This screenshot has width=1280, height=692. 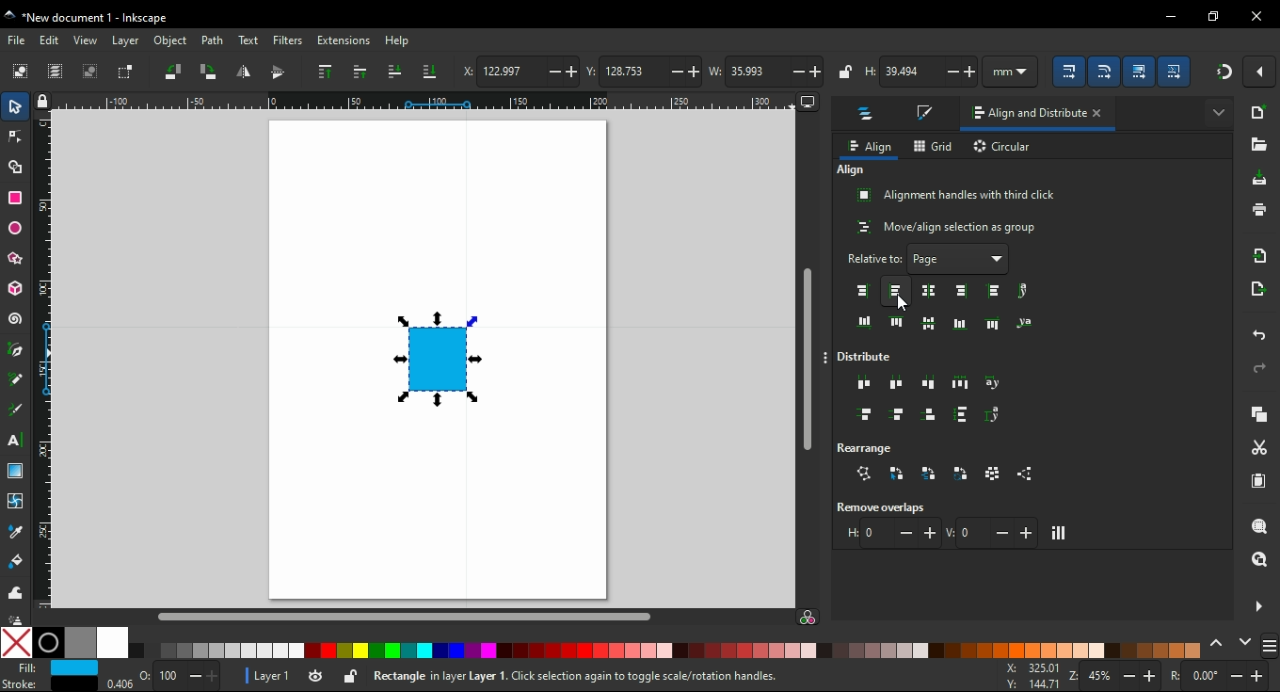 I want to click on center on vertical axis, so click(x=927, y=291).